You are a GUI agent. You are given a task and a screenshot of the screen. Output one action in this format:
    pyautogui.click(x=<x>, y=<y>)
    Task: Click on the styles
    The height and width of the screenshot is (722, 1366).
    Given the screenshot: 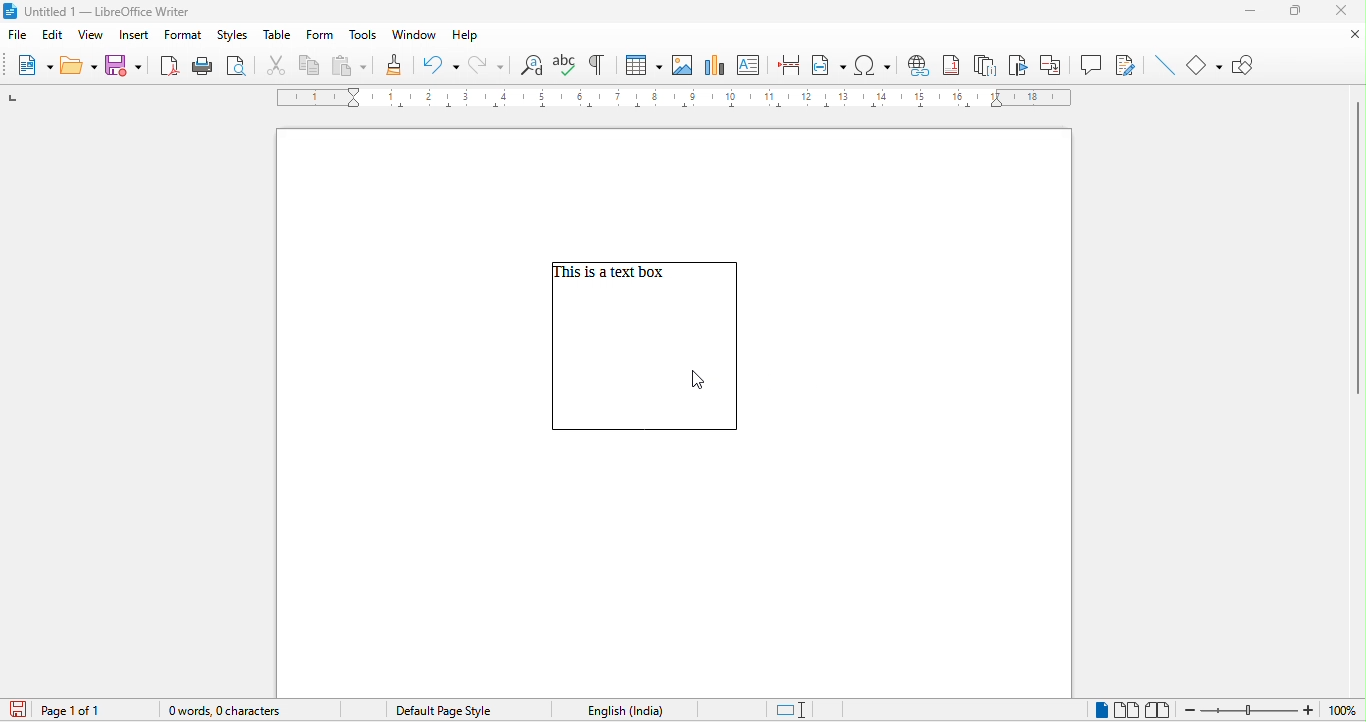 What is the action you would take?
    pyautogui.click(x=233, y=36)
    